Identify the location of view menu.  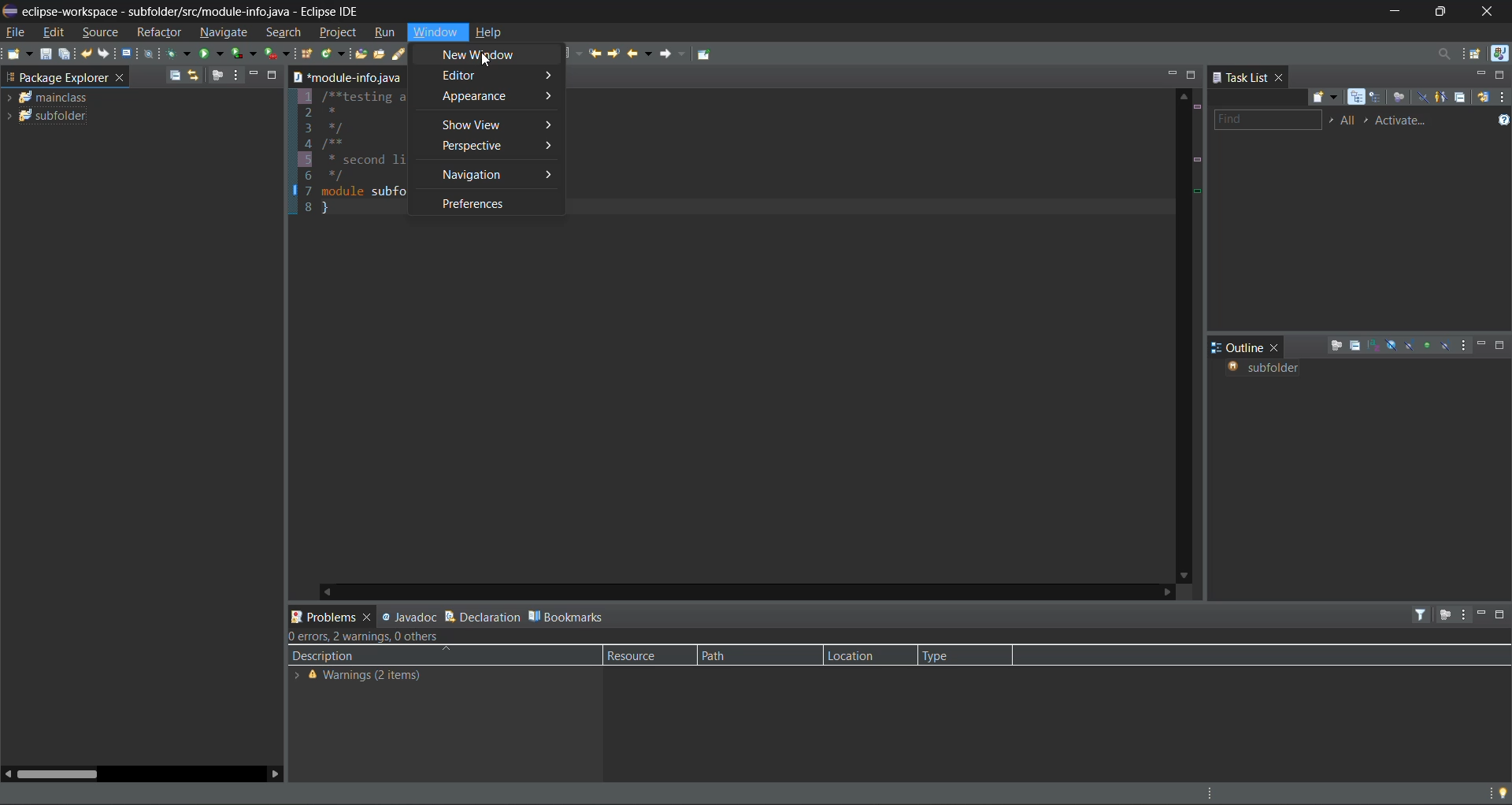
(1461, 347).